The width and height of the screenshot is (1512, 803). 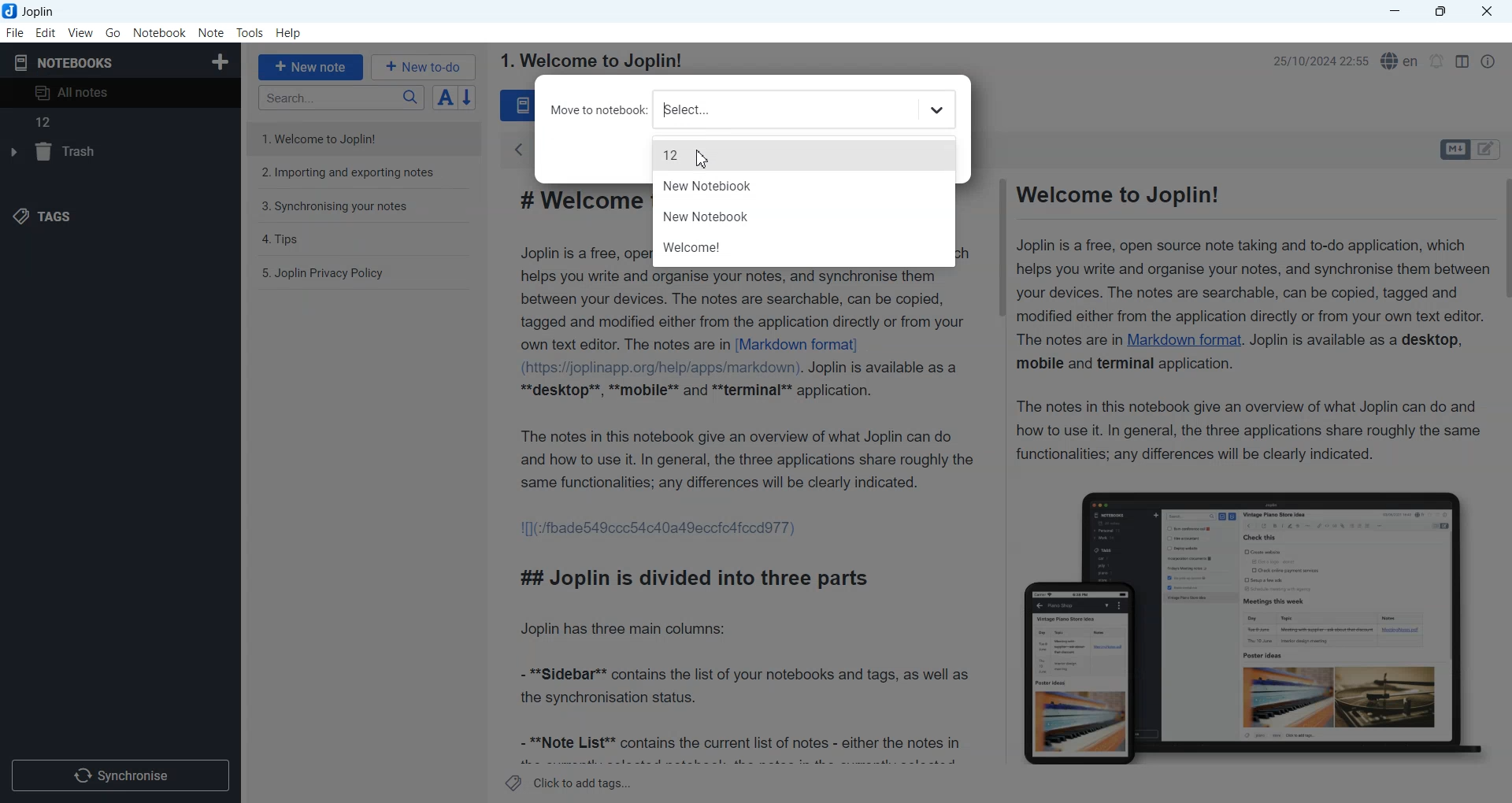 What do you see at coordinates (46, 32) in the screenshot?
I see `Edit` at bounding box center [46, 32].